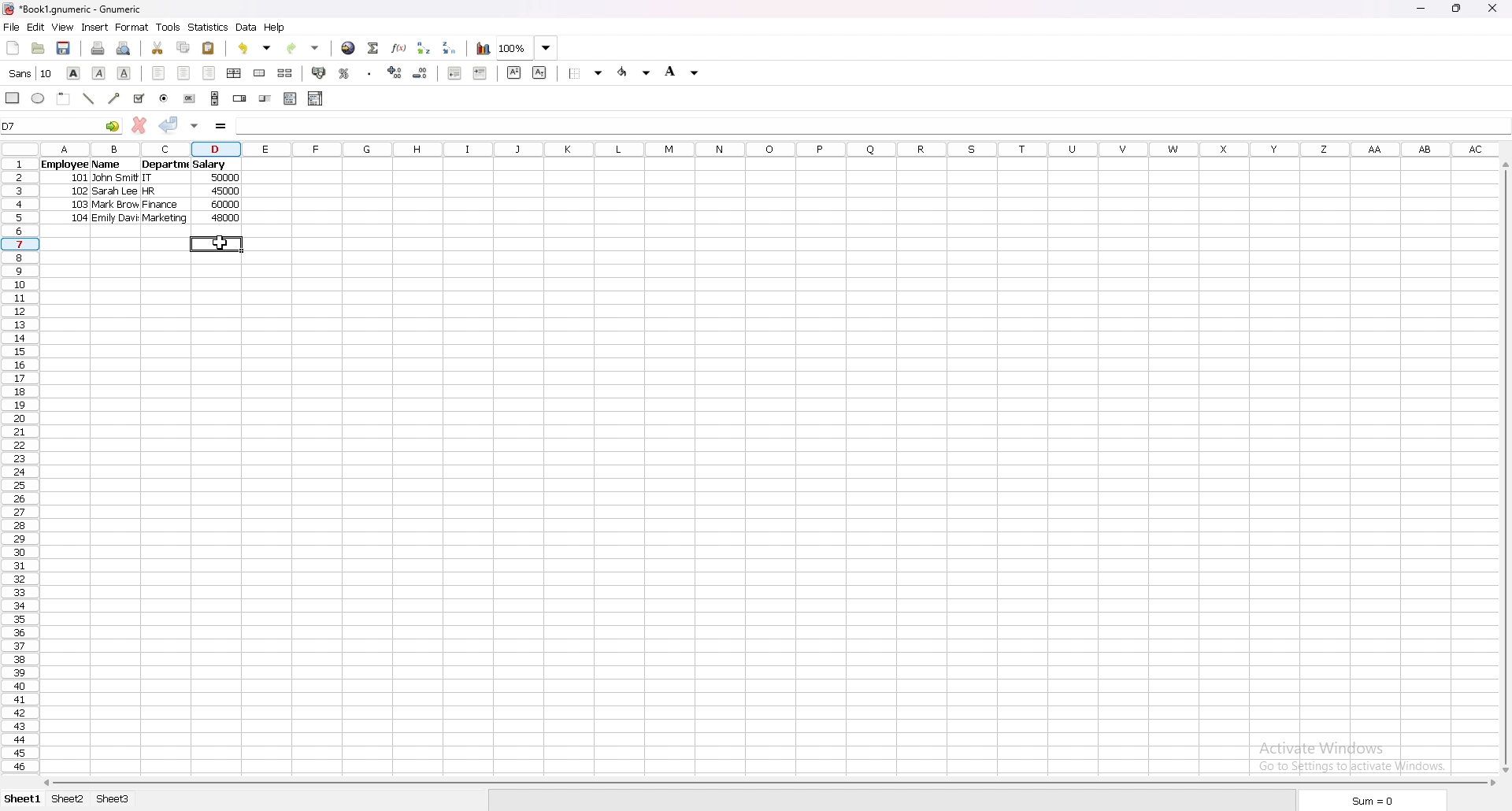 The width and height of the screenshot is (1512, 811). I want to click on italic, so click(99, 73).